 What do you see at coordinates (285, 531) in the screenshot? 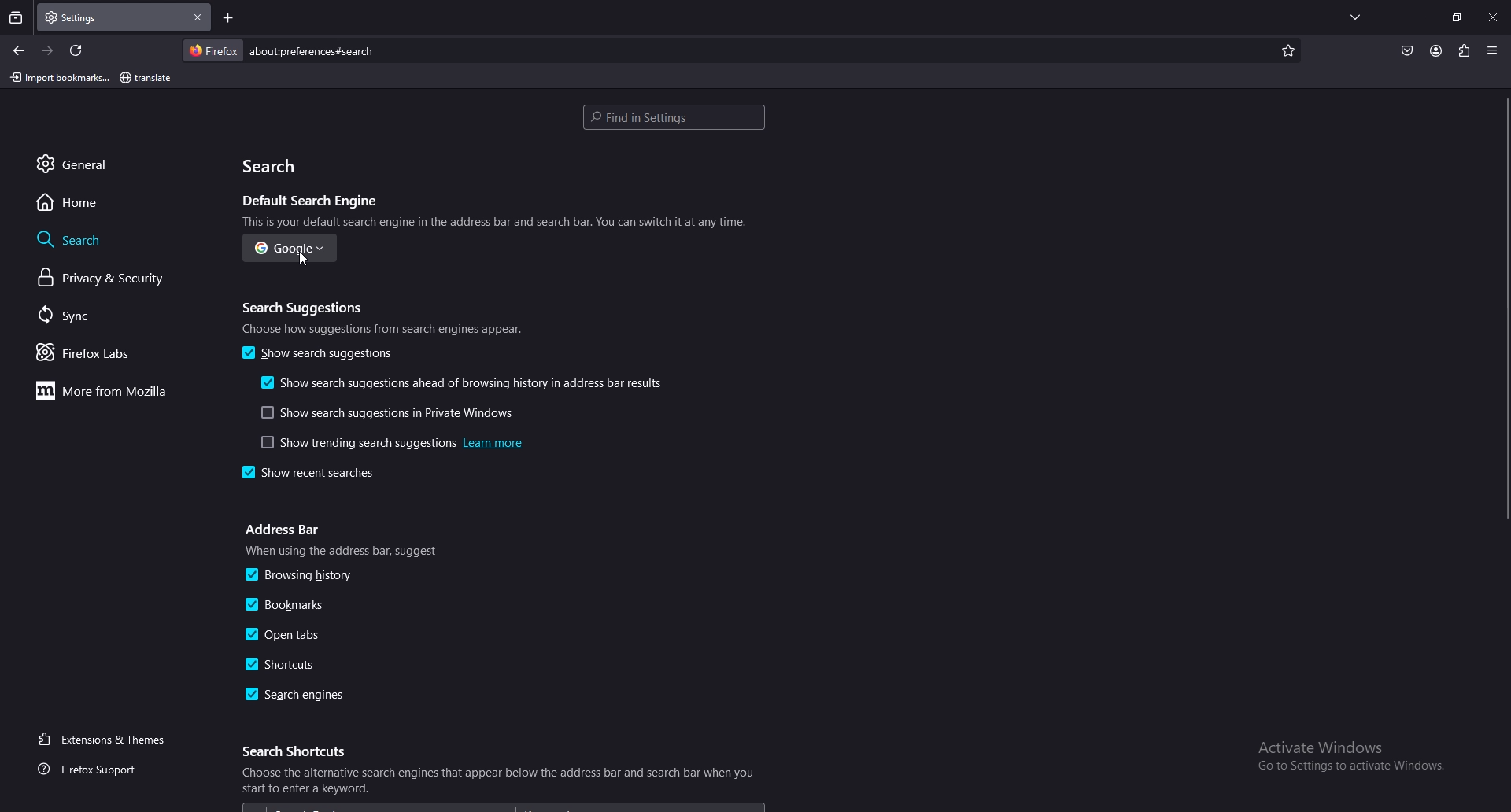
I see `address bar` at bounding box center [285, 531].